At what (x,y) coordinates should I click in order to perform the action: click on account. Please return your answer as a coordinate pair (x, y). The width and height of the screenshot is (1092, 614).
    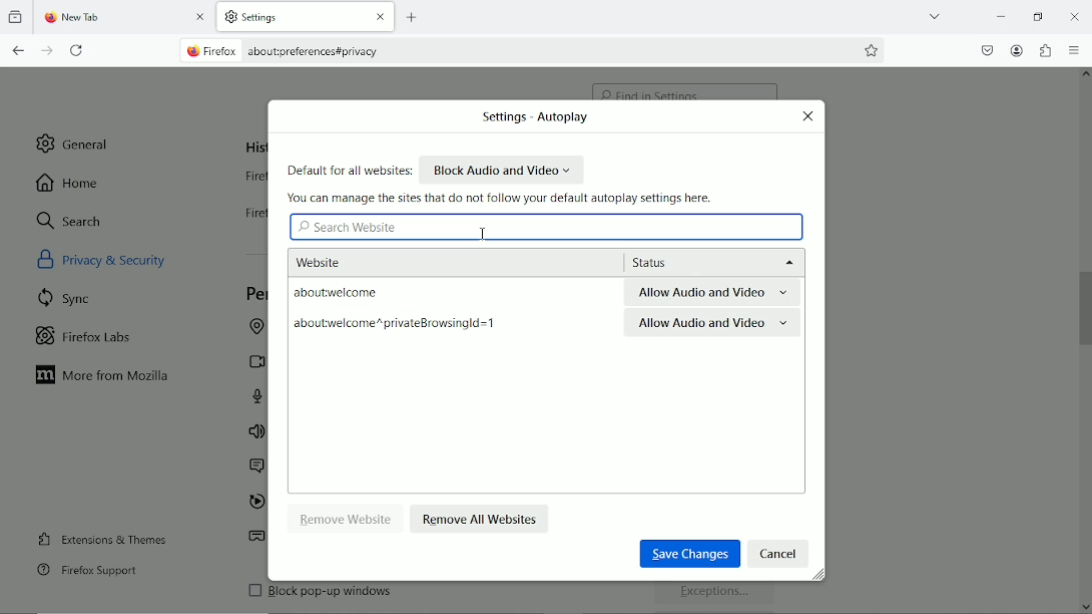
    Looking at the image, I should click on (1017, 51).